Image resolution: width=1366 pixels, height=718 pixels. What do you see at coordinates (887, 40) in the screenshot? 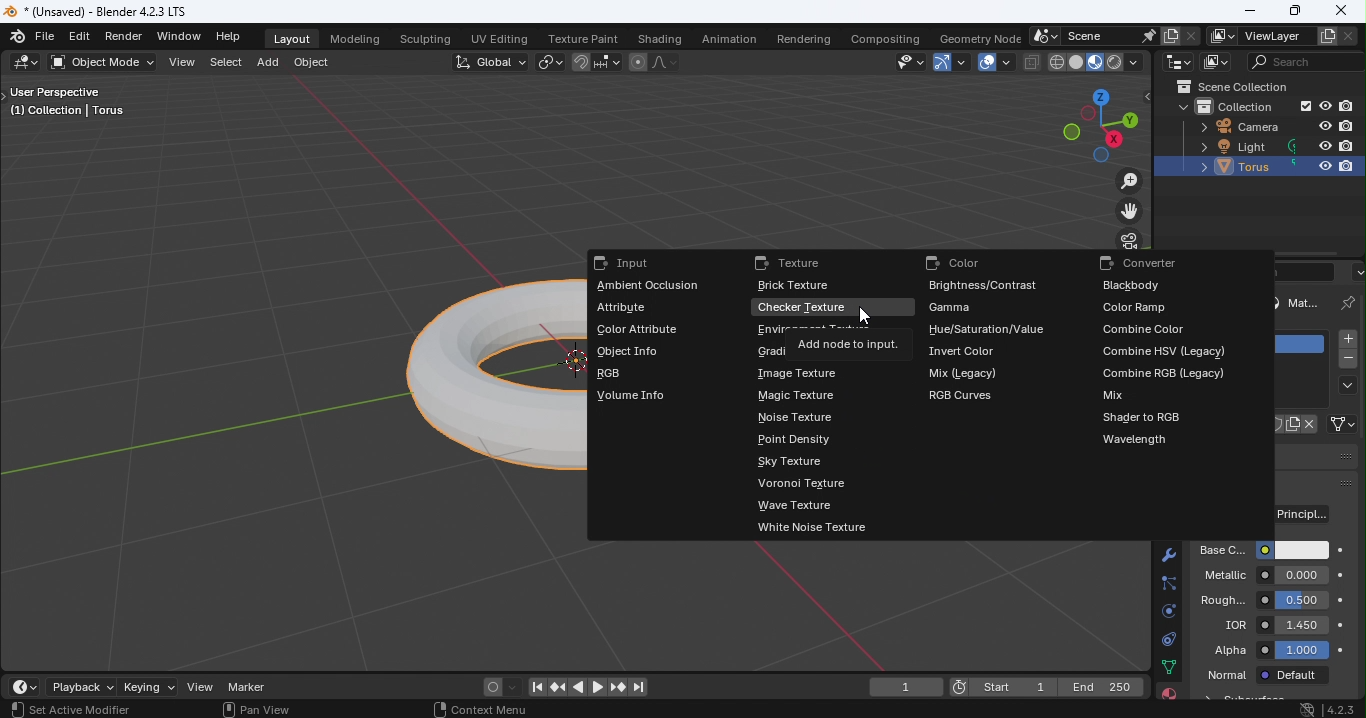
I see `Compositing` at bounding box center [887, 40].